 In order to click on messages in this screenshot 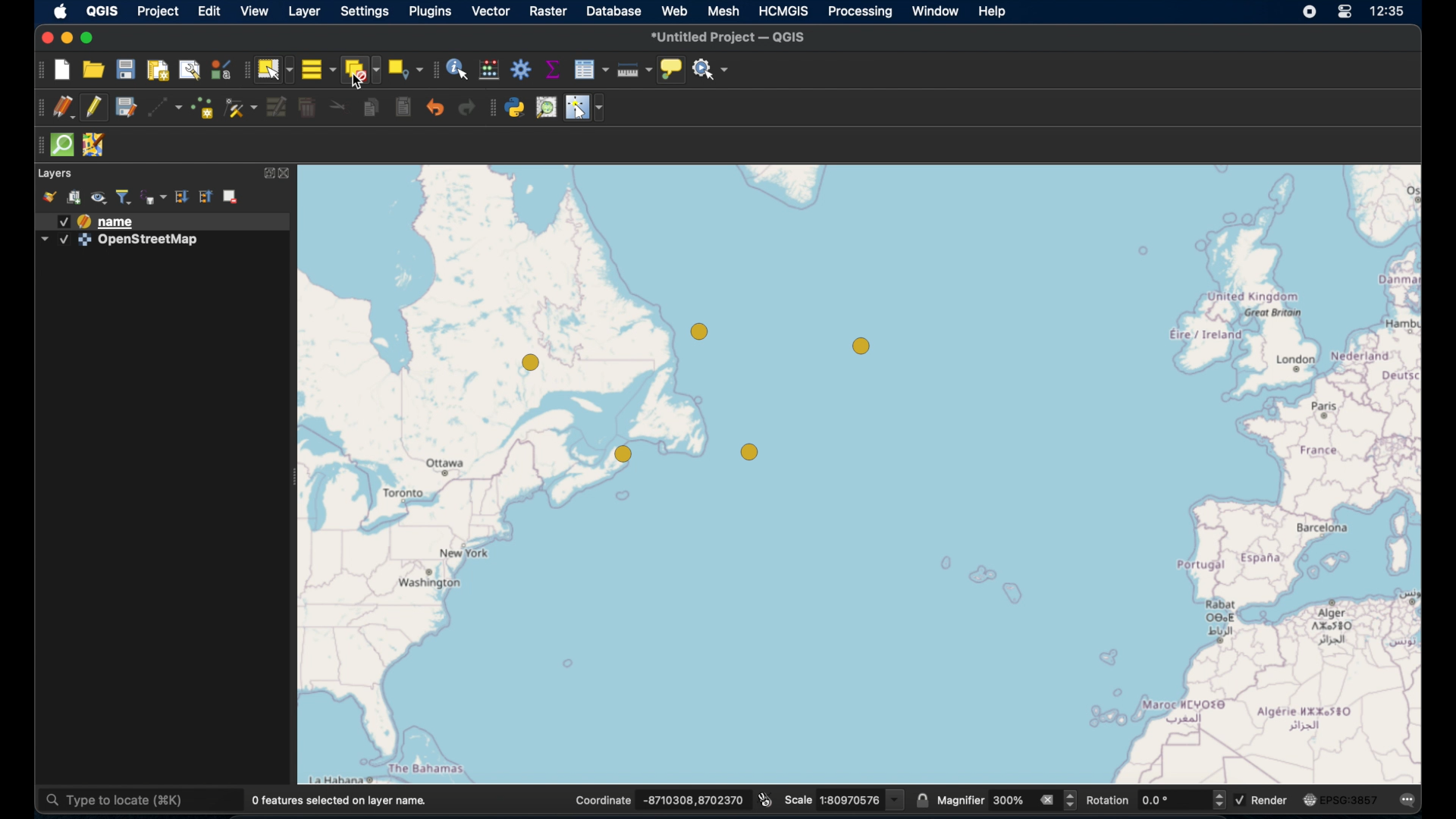, I will do `click(1410, 801)`.